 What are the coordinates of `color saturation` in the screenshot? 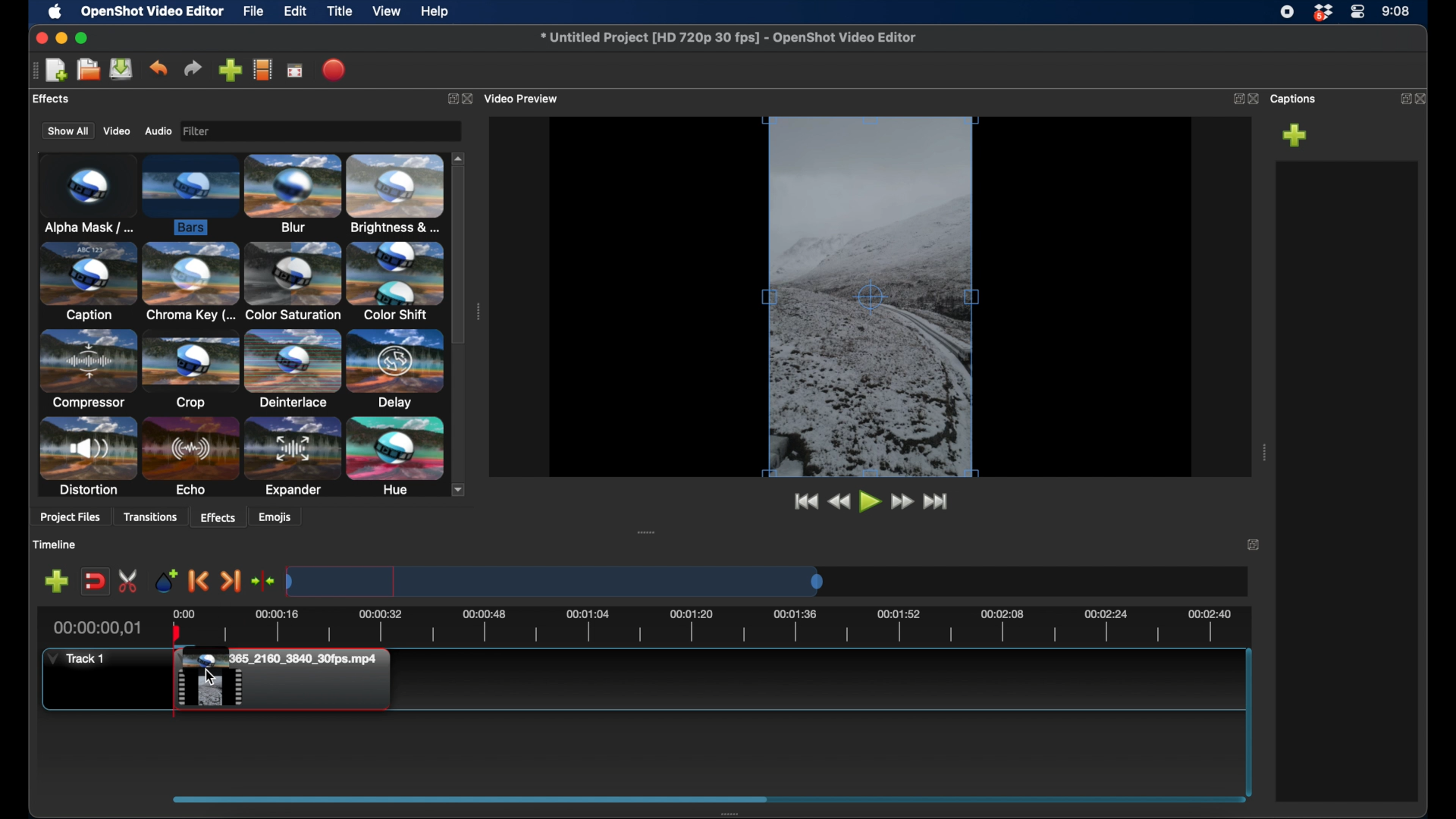 It's located at (293, 282).